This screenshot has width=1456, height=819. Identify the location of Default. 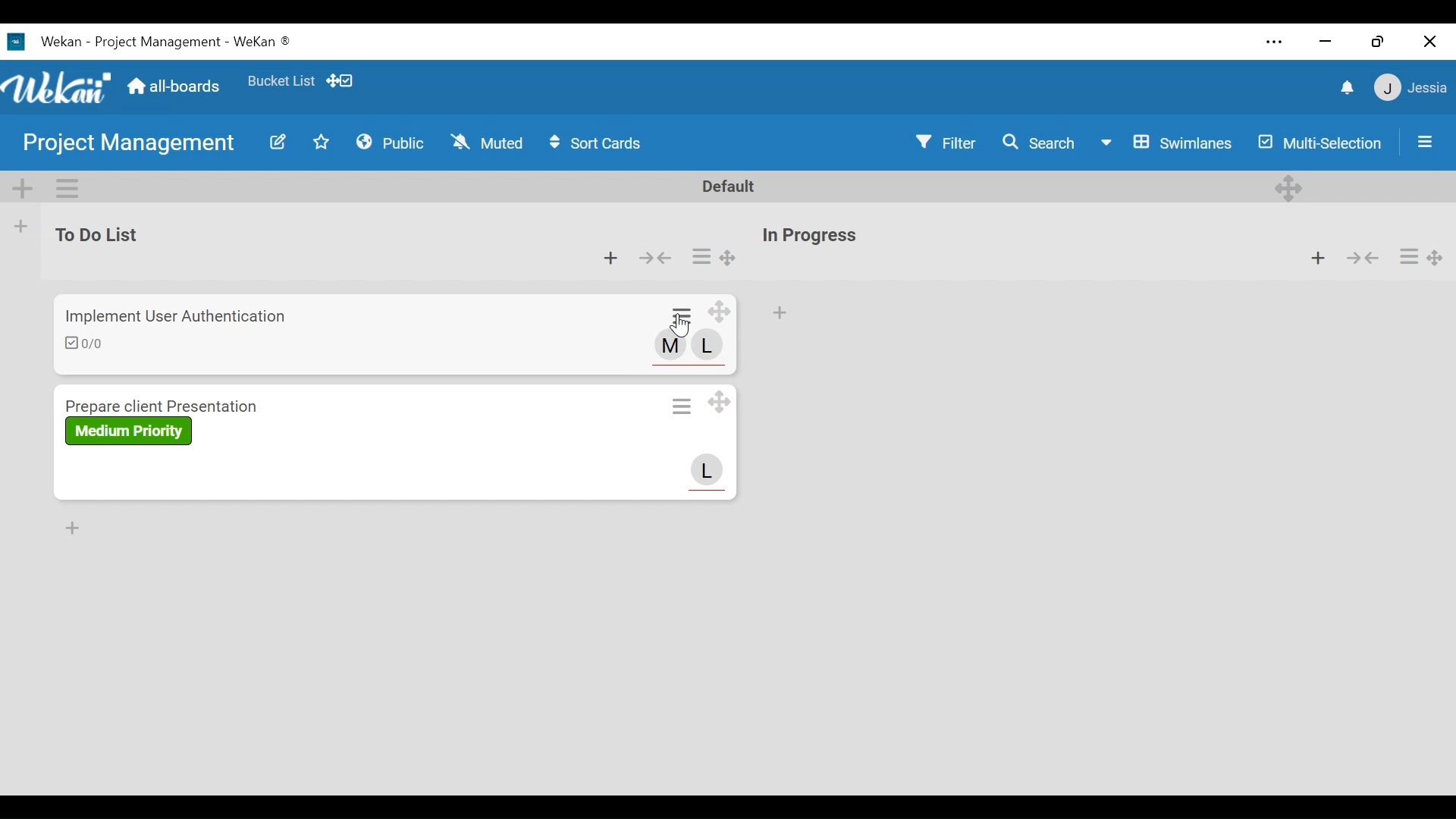
(731, 186).